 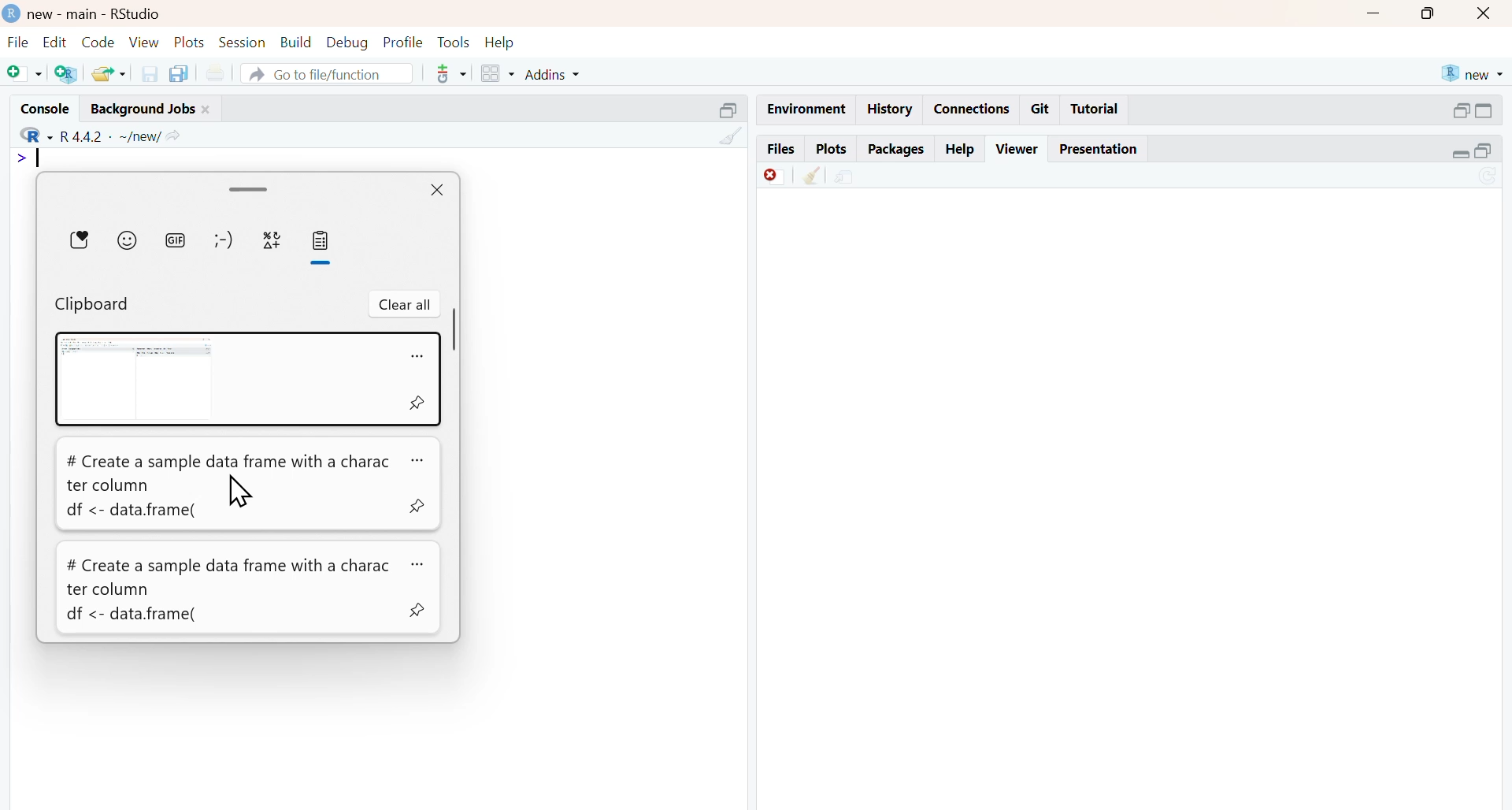 What do you see at coordinates (347, 43) in the screenshot?
I see `debug` at bounding box center [347, 43].